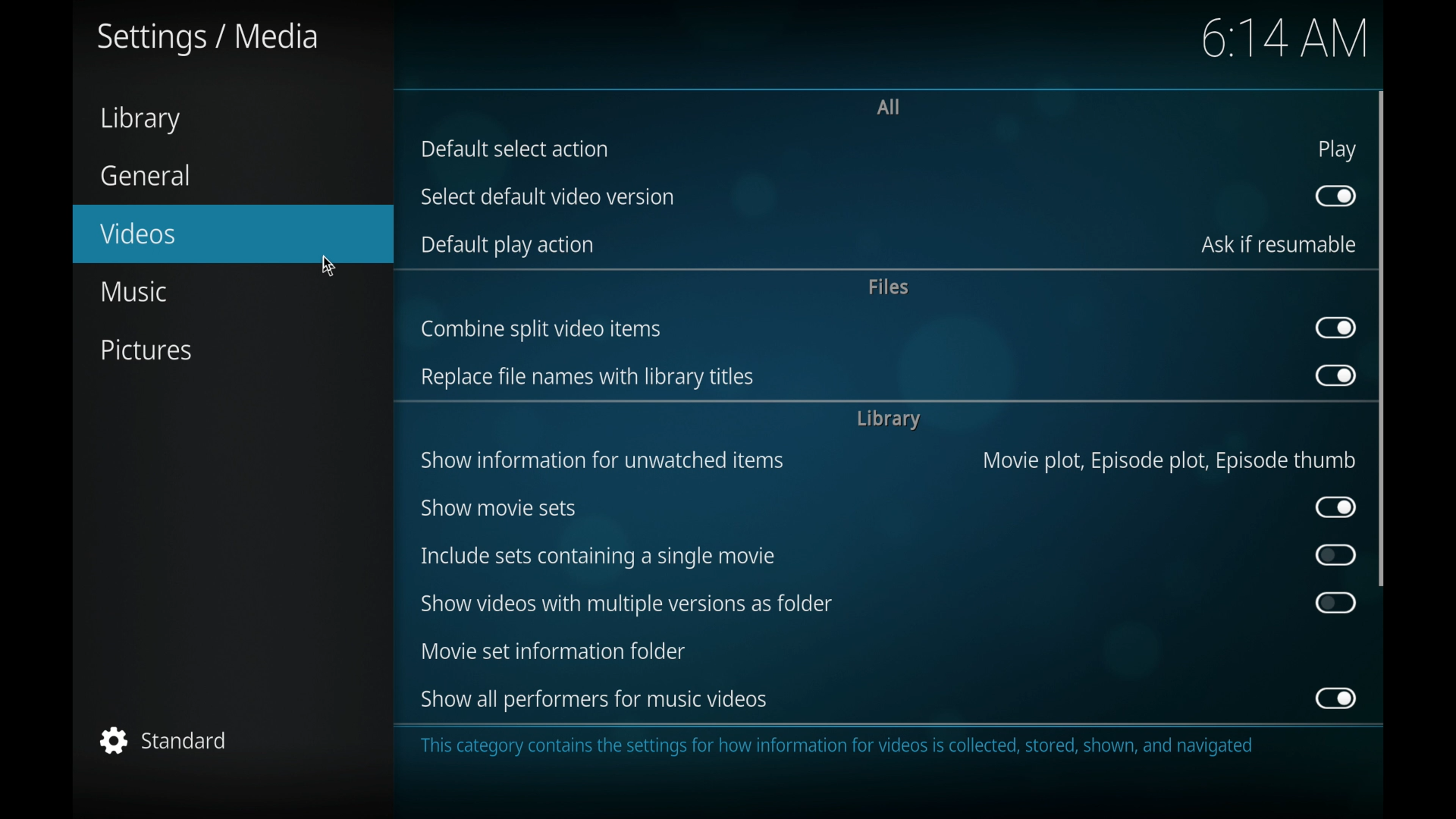 Image resolution: width=1456 pixels, height=819 pixels. Describe the element at coordinates (1335, 328) in the screenshot. I see `toggle button` at that location.